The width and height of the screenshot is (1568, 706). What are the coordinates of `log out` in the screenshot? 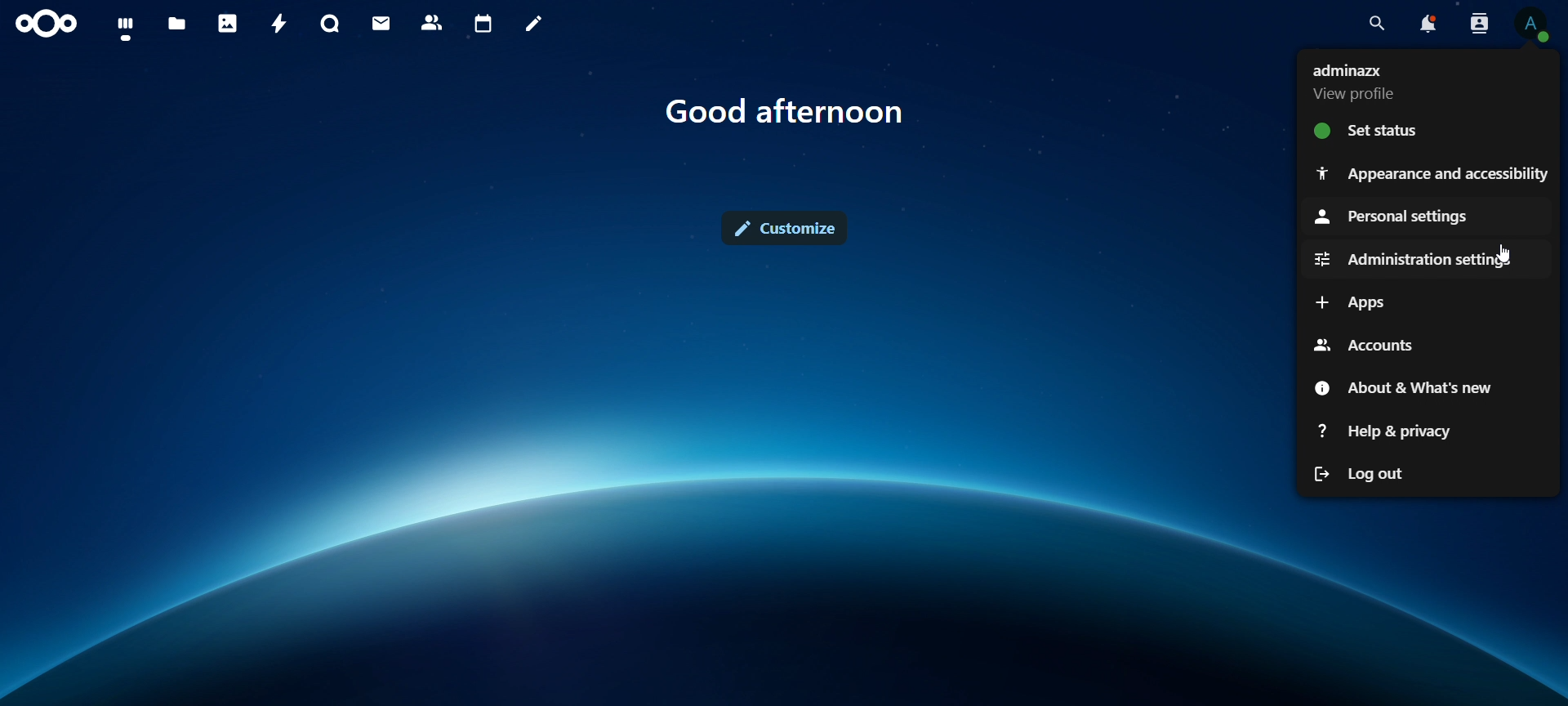 It's located at (1362, 471).